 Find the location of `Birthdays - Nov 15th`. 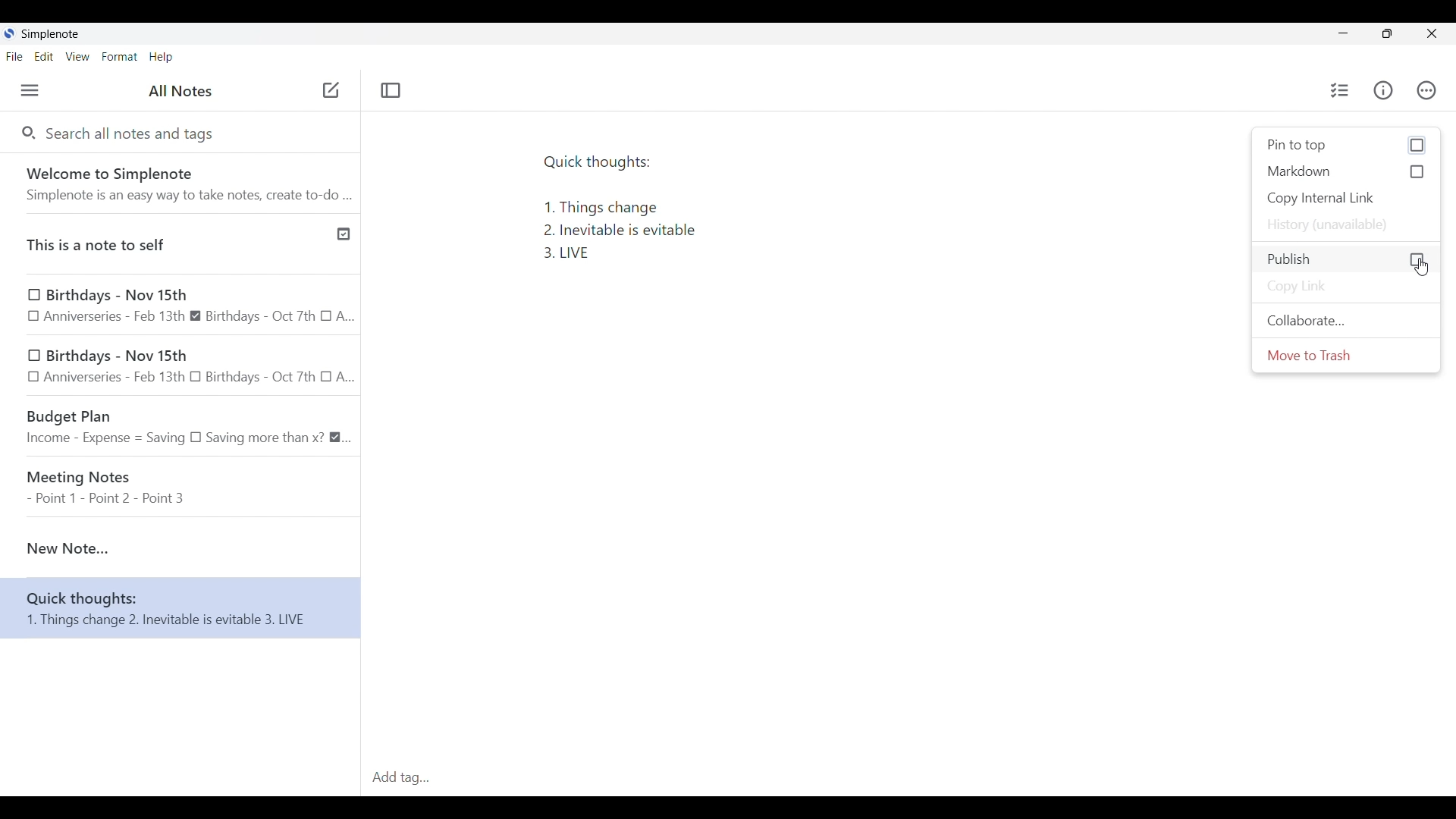

Birthdays - Nov 15th is located at coordinates (179, 308).